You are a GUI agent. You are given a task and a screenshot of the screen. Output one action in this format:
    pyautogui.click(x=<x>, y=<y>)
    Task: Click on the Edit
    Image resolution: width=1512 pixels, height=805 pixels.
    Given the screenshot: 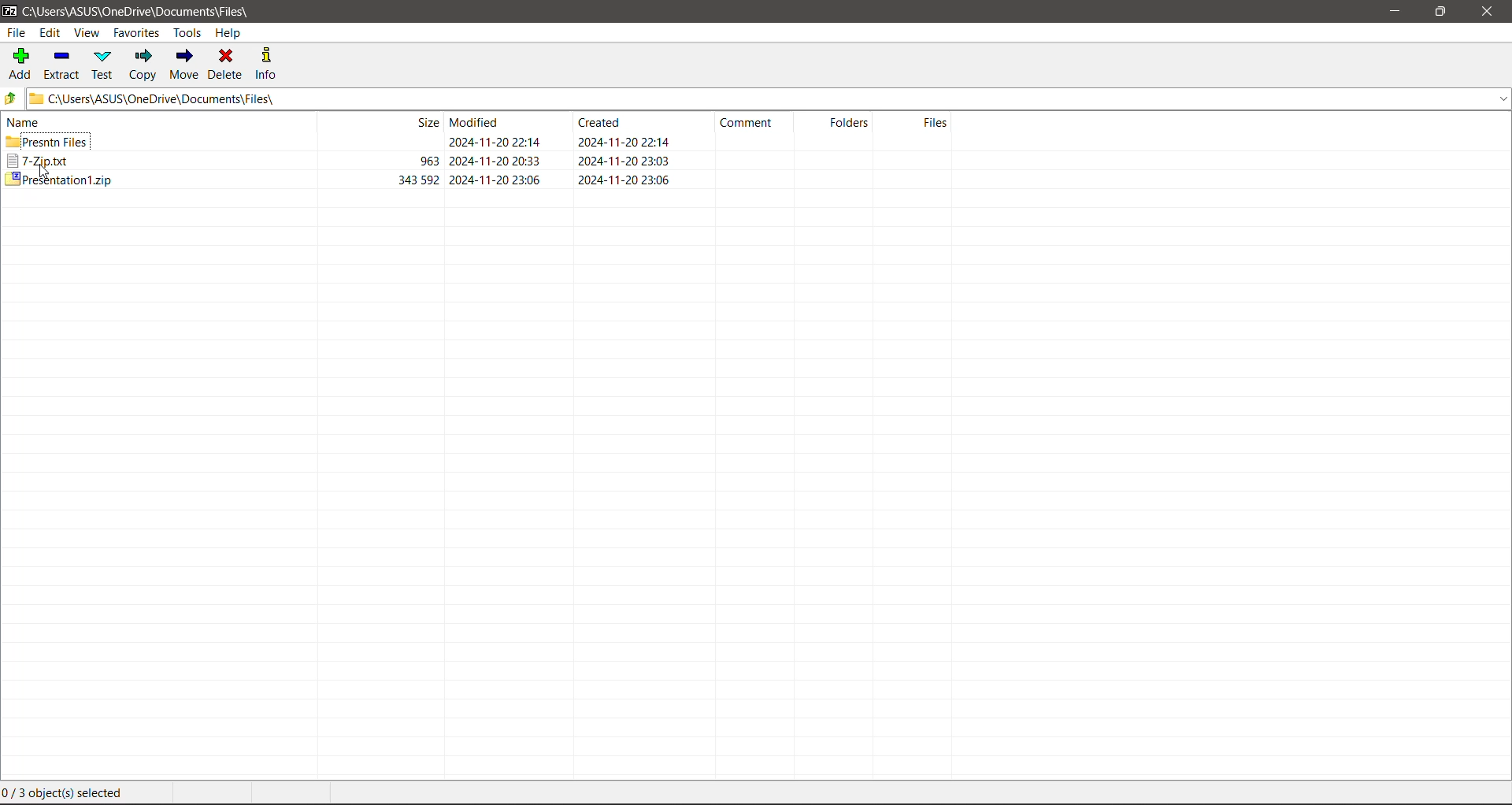 What is the action you would take?
    pyautogui.click(x=53, y=33)
    